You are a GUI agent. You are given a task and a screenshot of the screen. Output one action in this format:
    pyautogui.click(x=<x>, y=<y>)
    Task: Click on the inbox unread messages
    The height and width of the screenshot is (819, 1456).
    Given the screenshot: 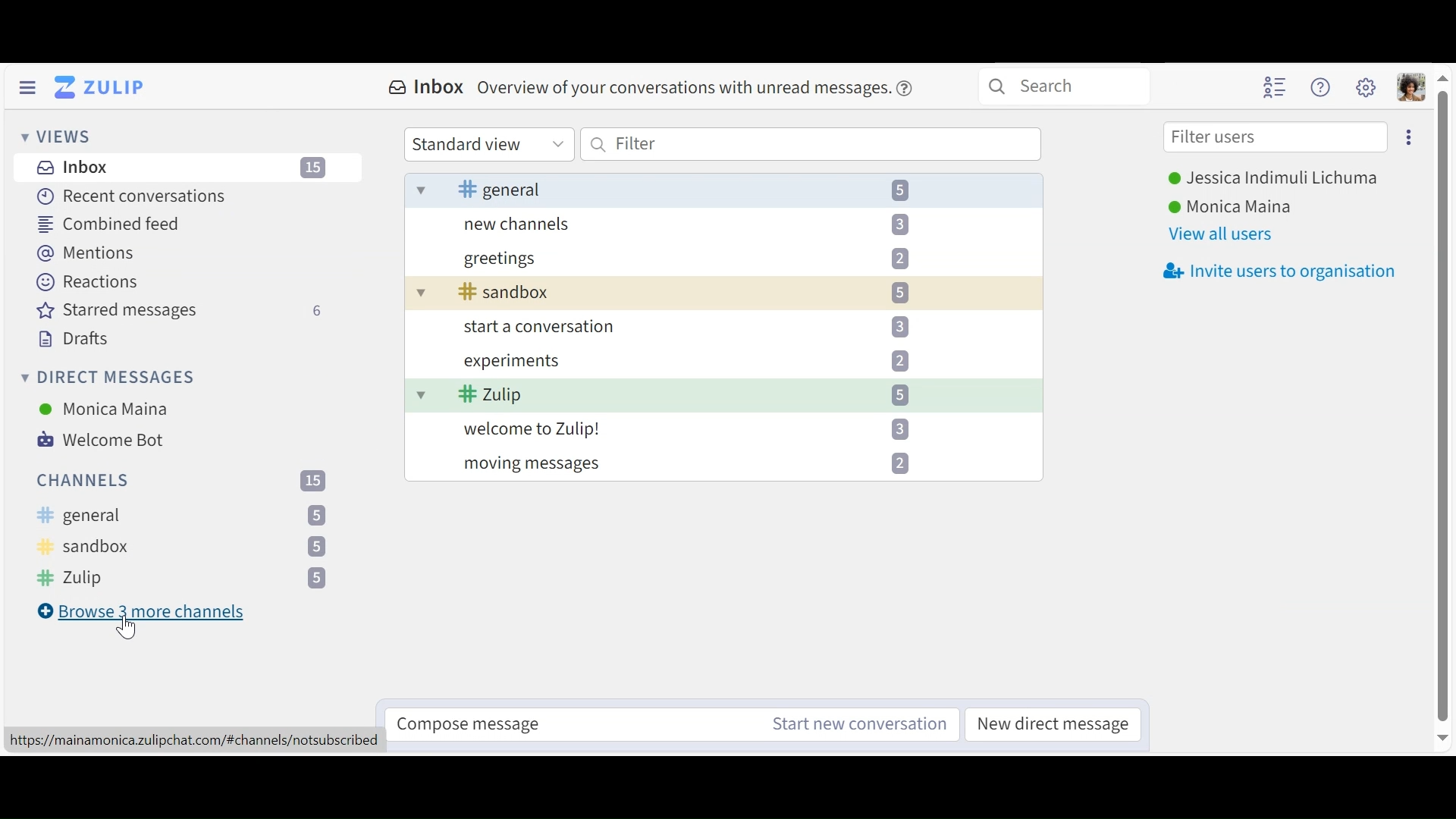 What is the action you would take?
    pyautogui.click(x=725, y=188)
    